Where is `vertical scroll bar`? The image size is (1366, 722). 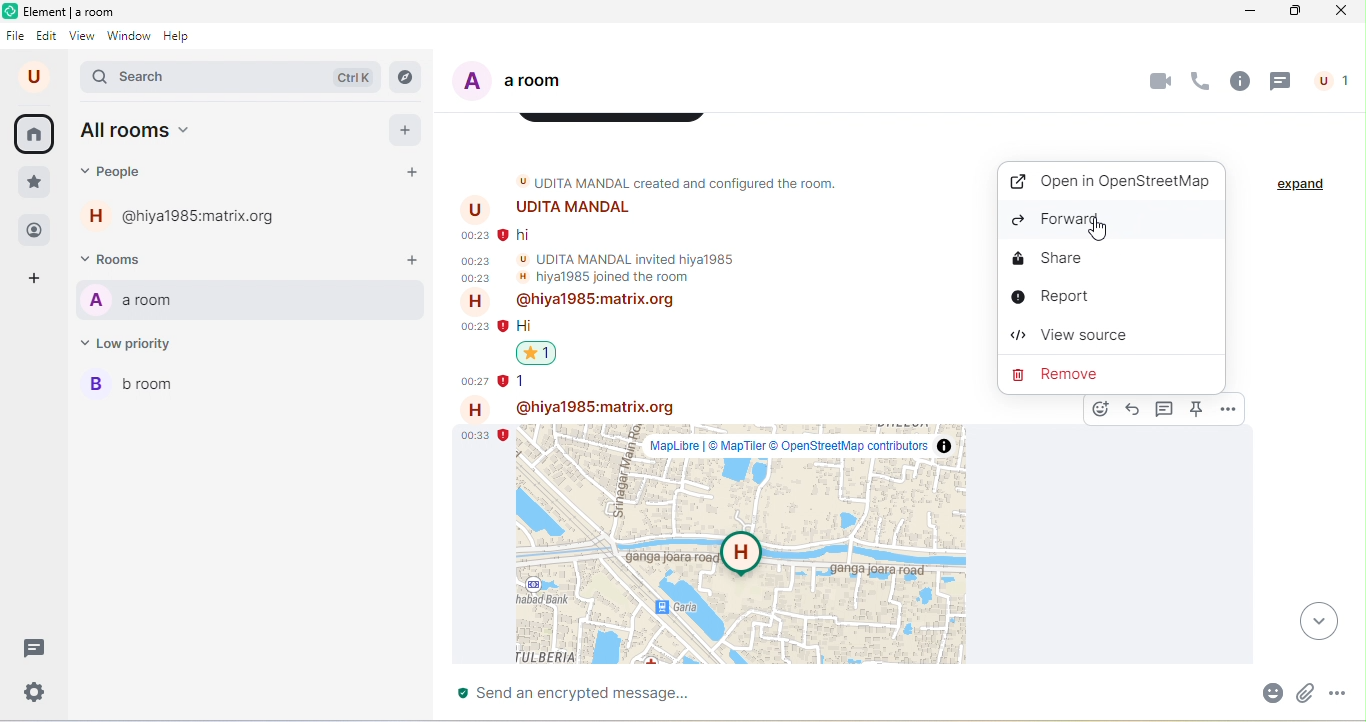 vertical scroll bar is located at coordinates (1353, 441).